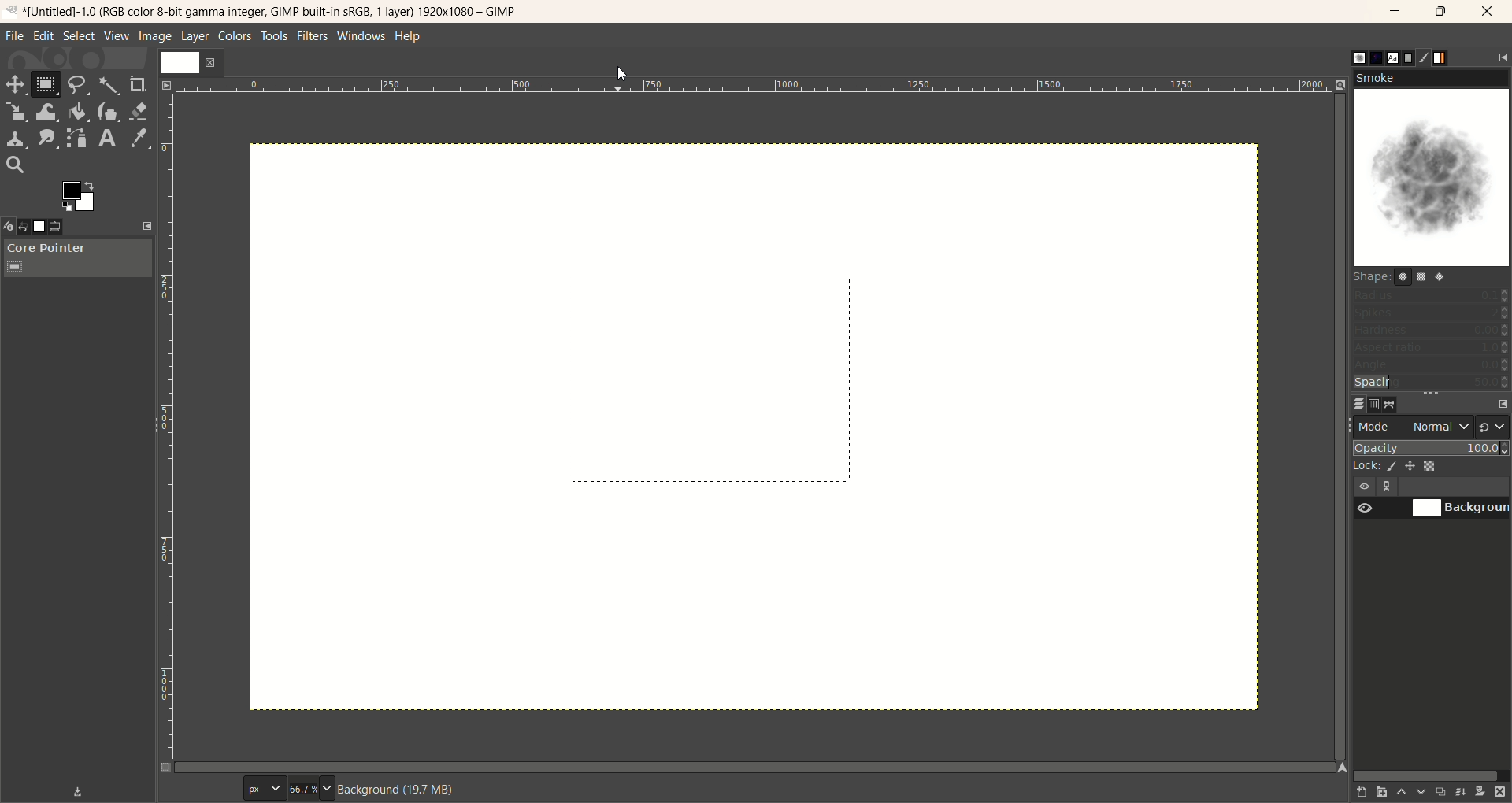 This screenshot has height=803, width=1512. Describe the element at coordinates (15, 37) in the screenshot. I see `file` at that location.